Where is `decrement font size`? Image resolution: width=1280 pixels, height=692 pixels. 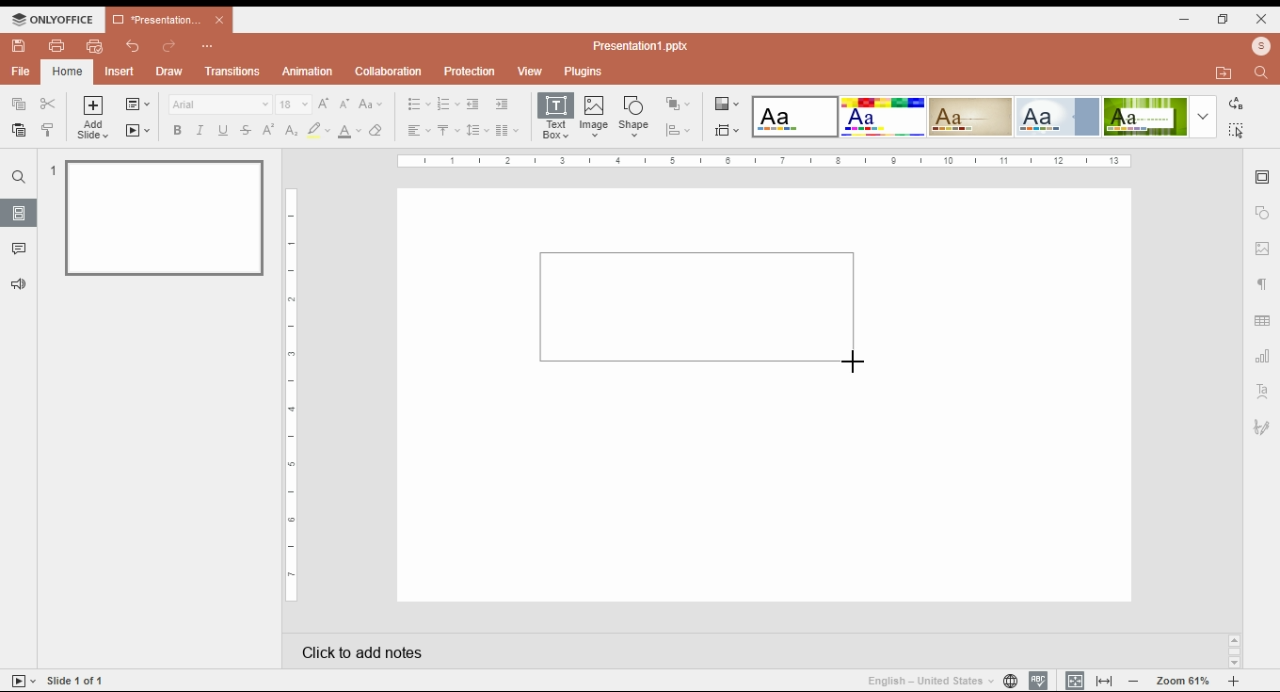
decrement font size is located at coordinates (345, 103).